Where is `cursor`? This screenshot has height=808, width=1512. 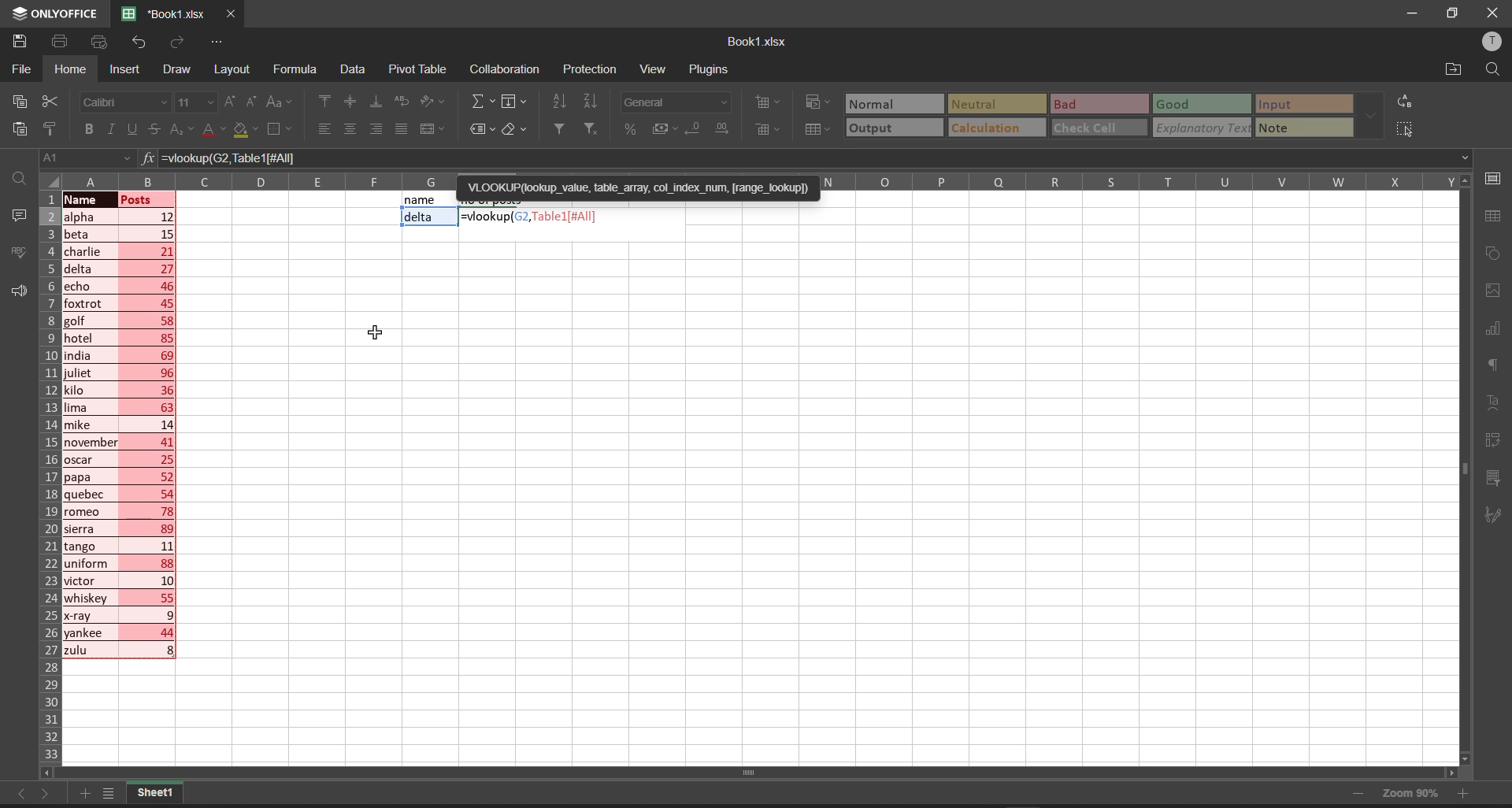 cursor is located at coordinates (379, 333).